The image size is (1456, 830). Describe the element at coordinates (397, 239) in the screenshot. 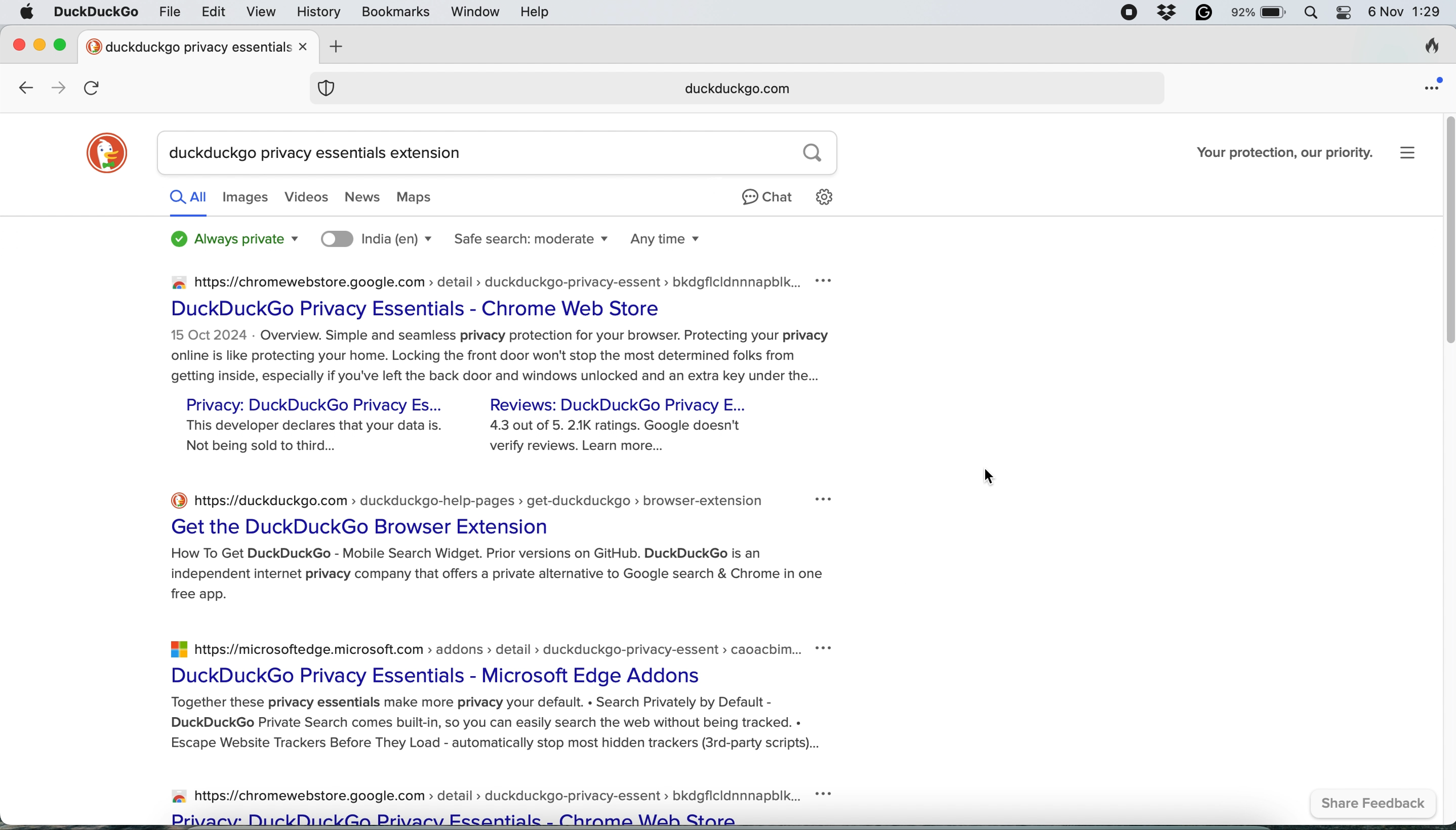

I see `search location` at that location.